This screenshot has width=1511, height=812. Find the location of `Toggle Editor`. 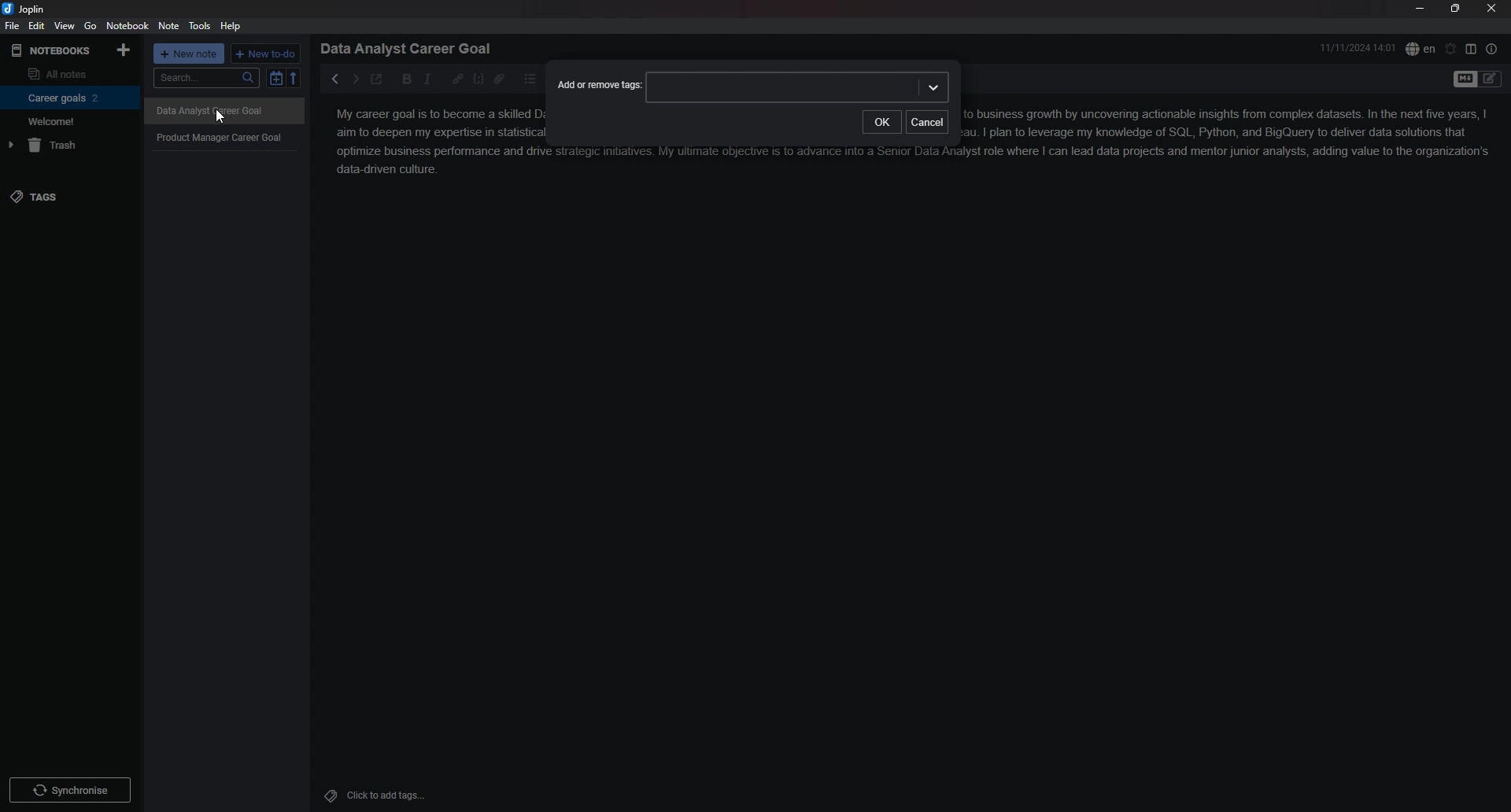

Toggle Editor is located at coordinates (1491, 80).